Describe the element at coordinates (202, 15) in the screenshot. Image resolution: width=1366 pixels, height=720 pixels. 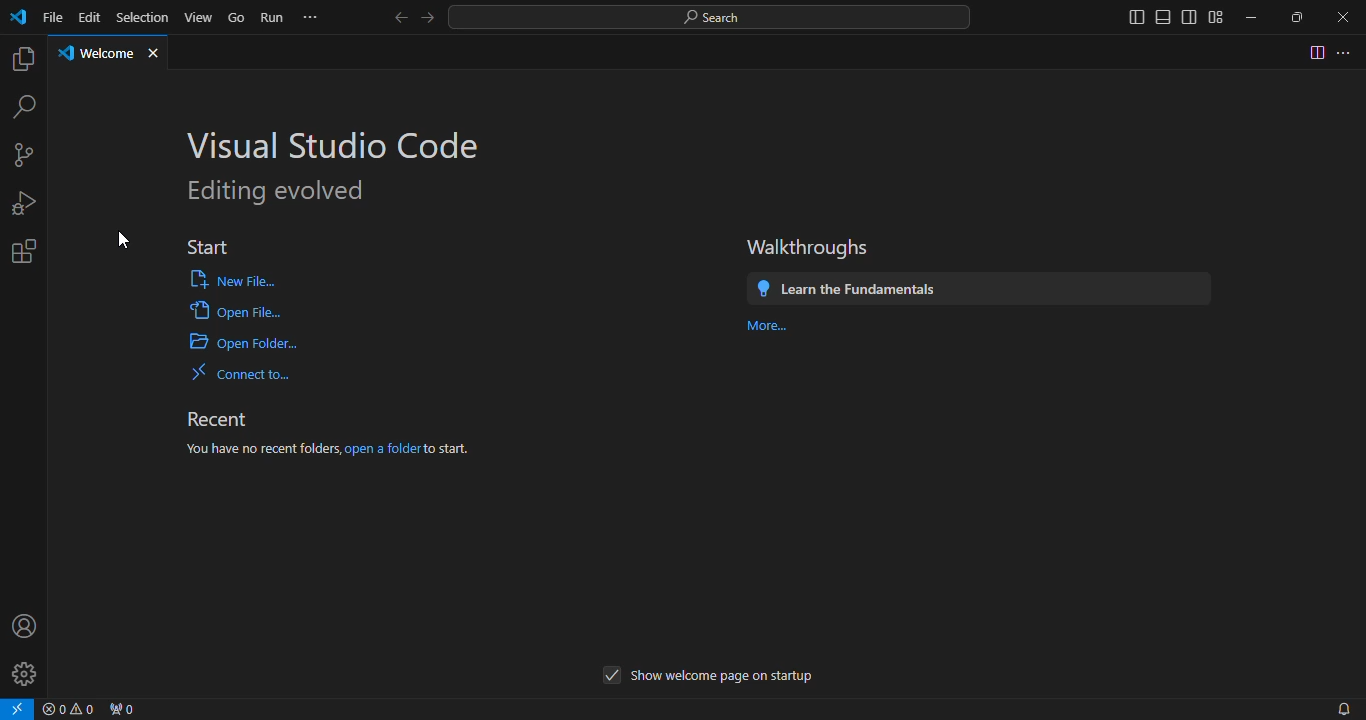
I see `View` at that location.